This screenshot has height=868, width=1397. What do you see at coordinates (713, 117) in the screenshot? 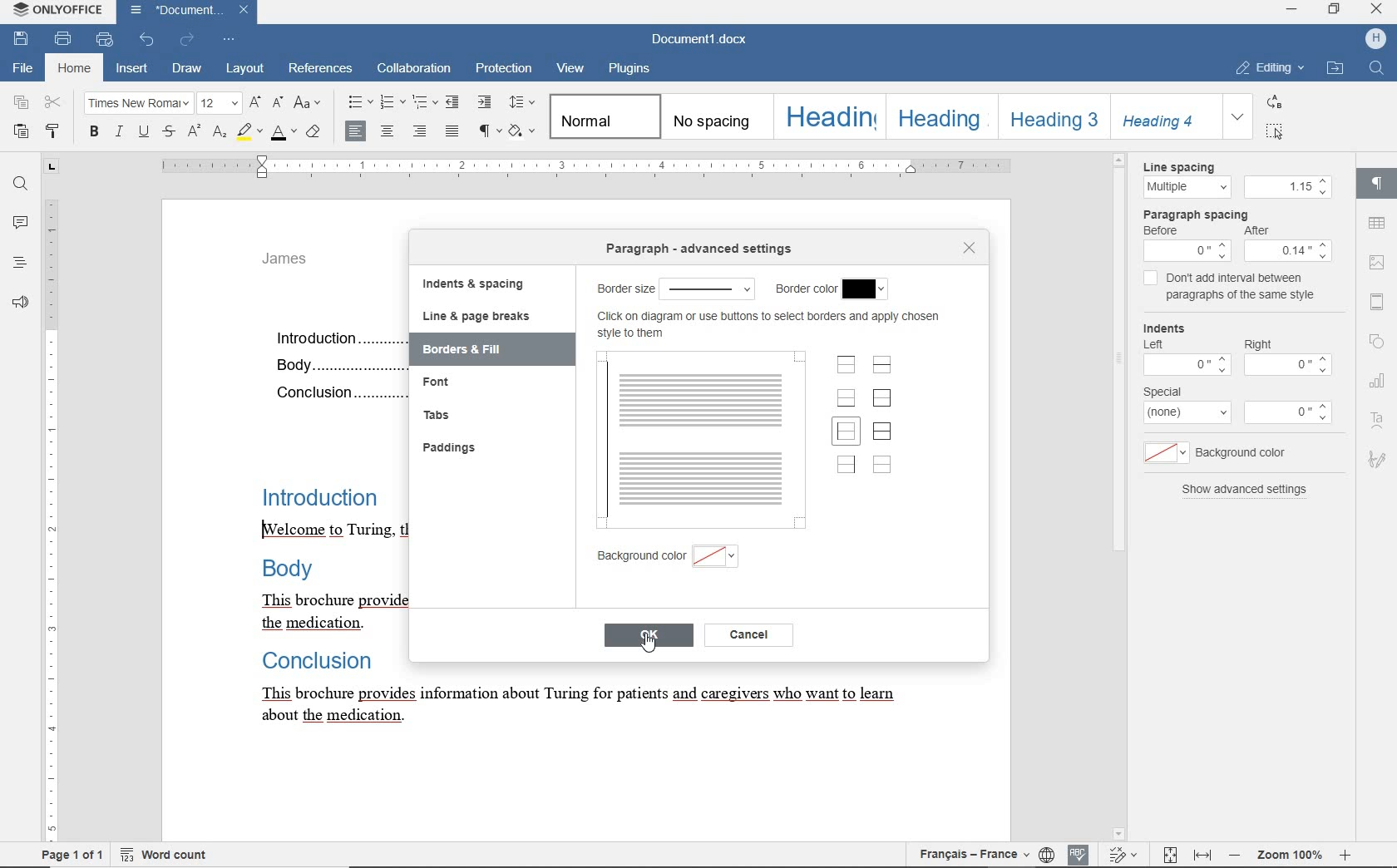
I see `no spacing` at bounding box center [713, 117].